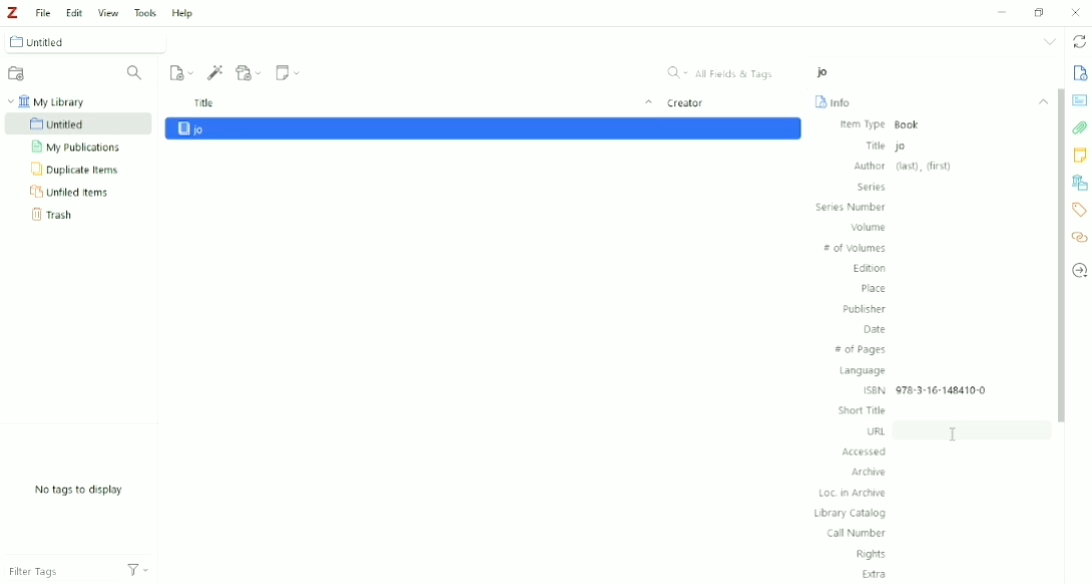 The height and width of the screenshot is (584, 1092). Describe the element at coordinates (873, 390) in the screenshot. I see `ISBN` at that location.